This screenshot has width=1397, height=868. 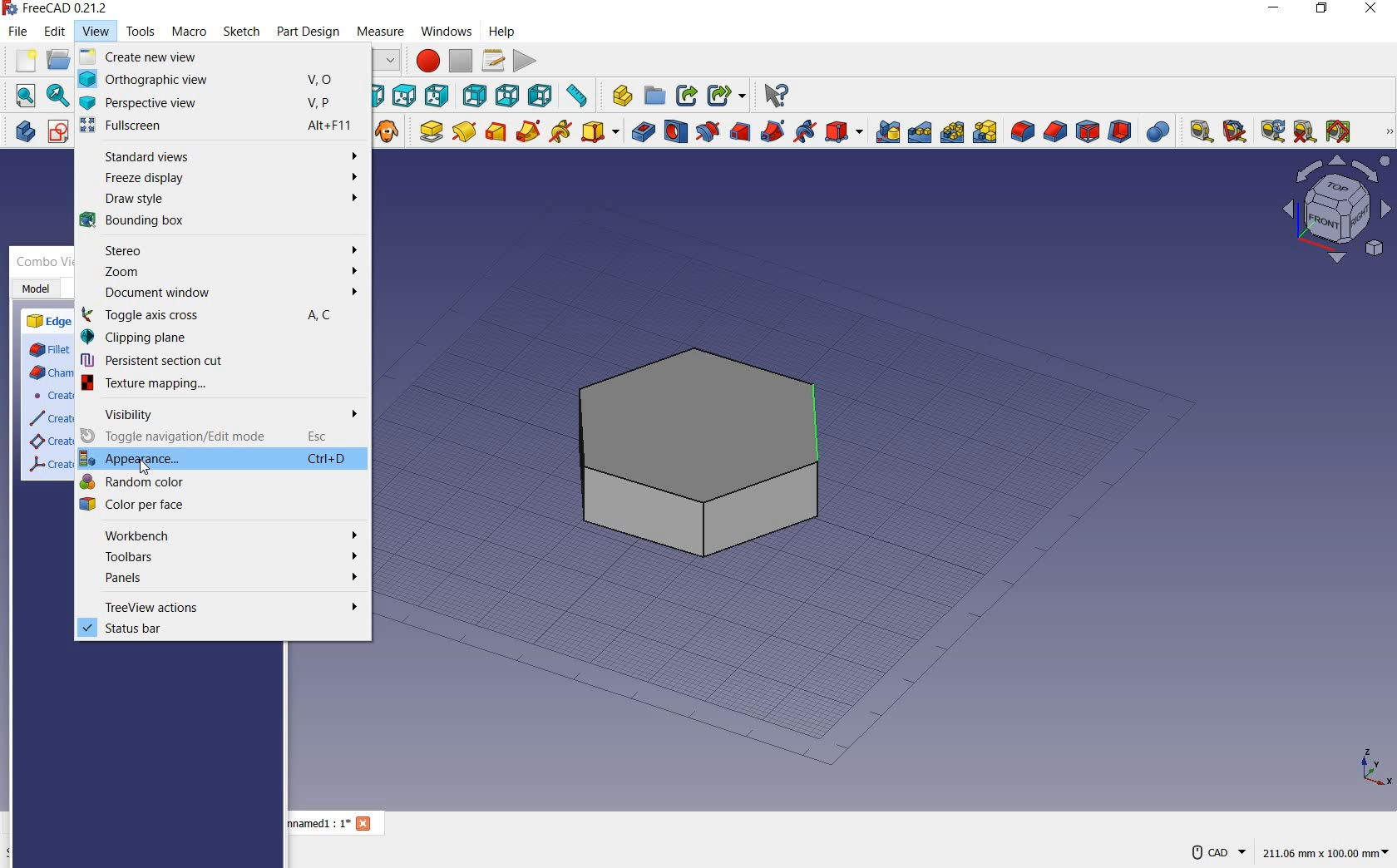 What do you see at coordinates (190, 32) in the screenshot?
I see `macro` at bounding box center [190, 32].